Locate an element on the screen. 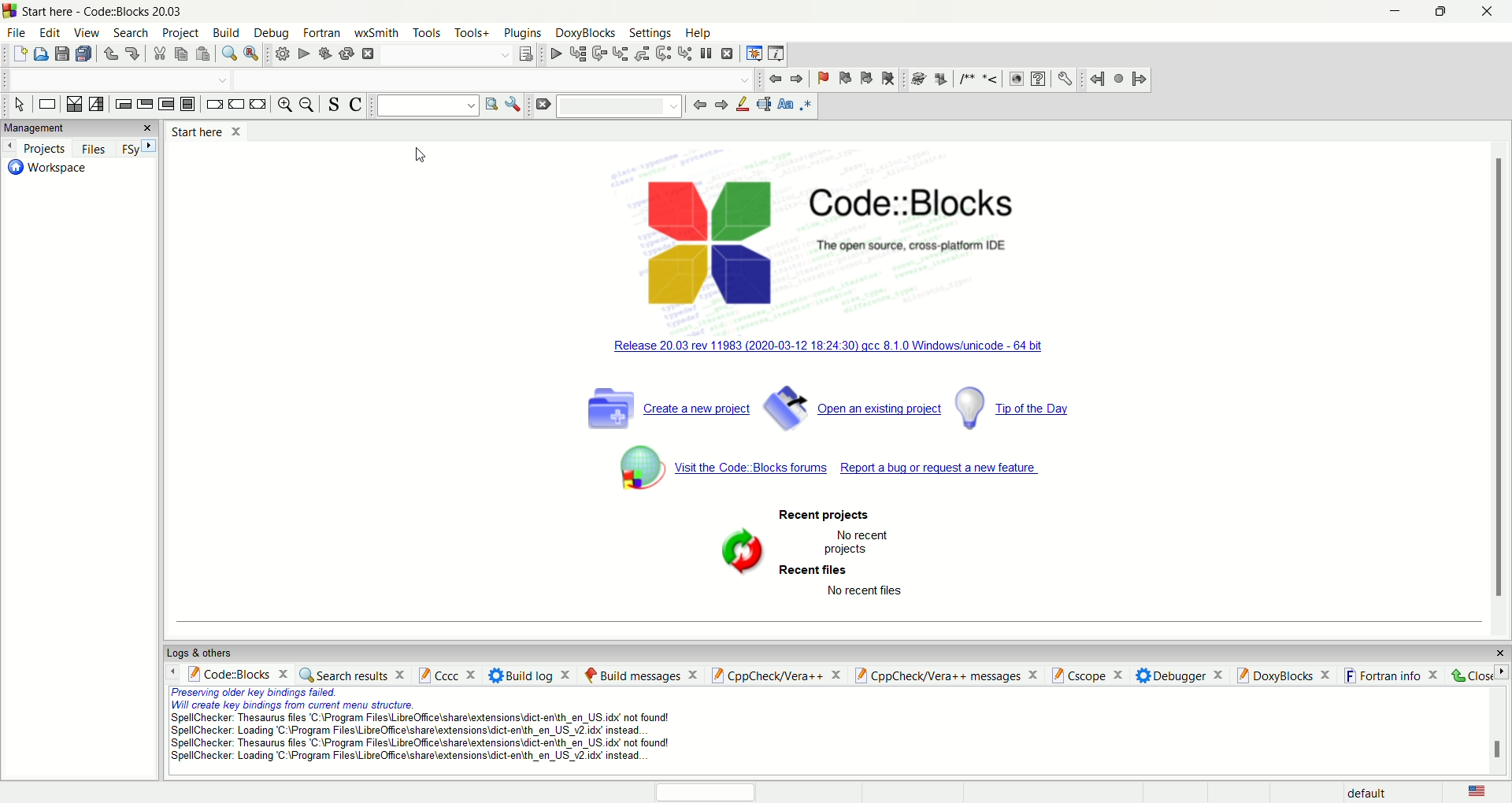 The image size is (1512, 803). highlight is located at coordinates (743, 106).